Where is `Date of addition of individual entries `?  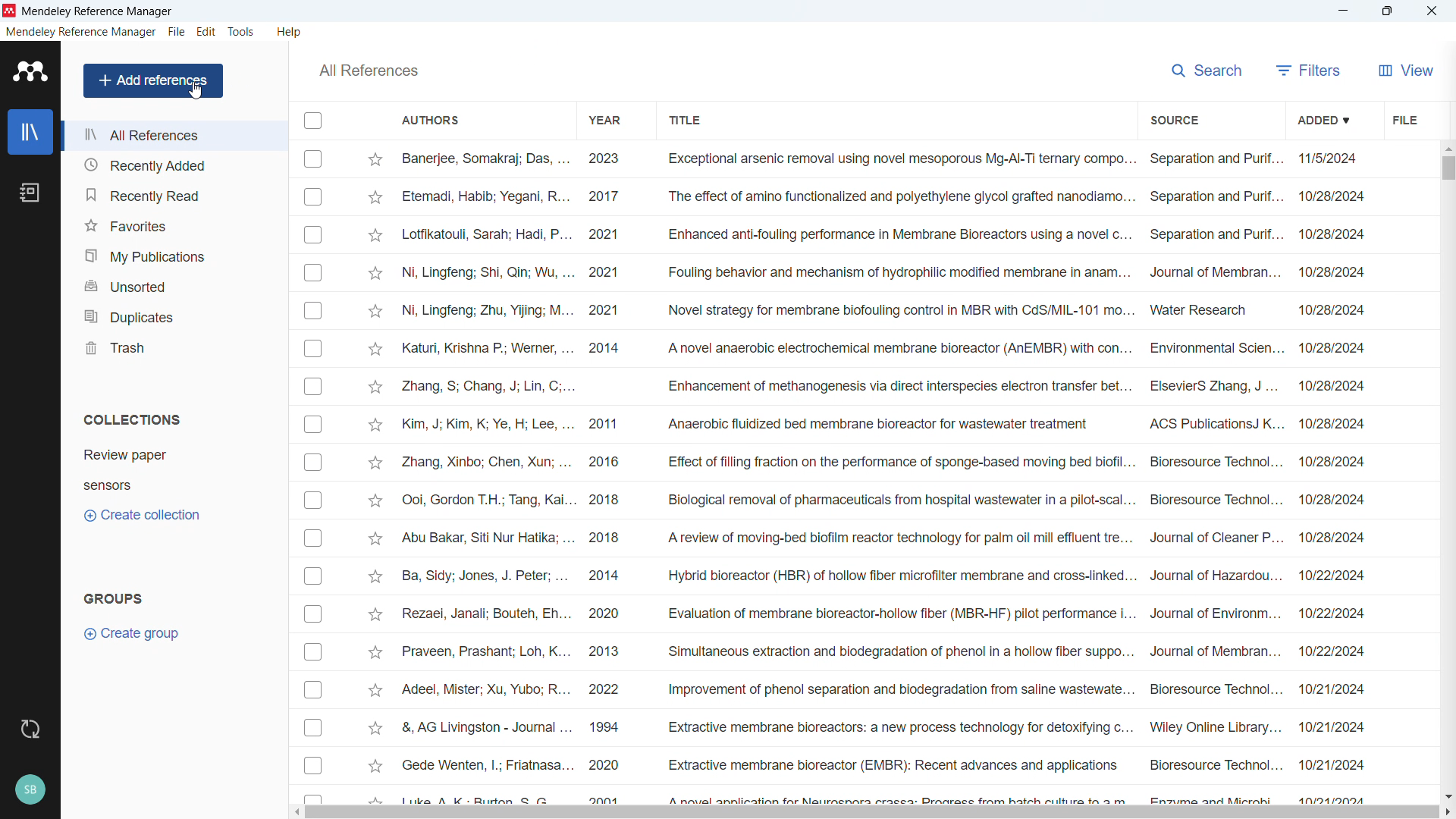 Date of addition of individual entries  is located at coordinates (1332, 477).